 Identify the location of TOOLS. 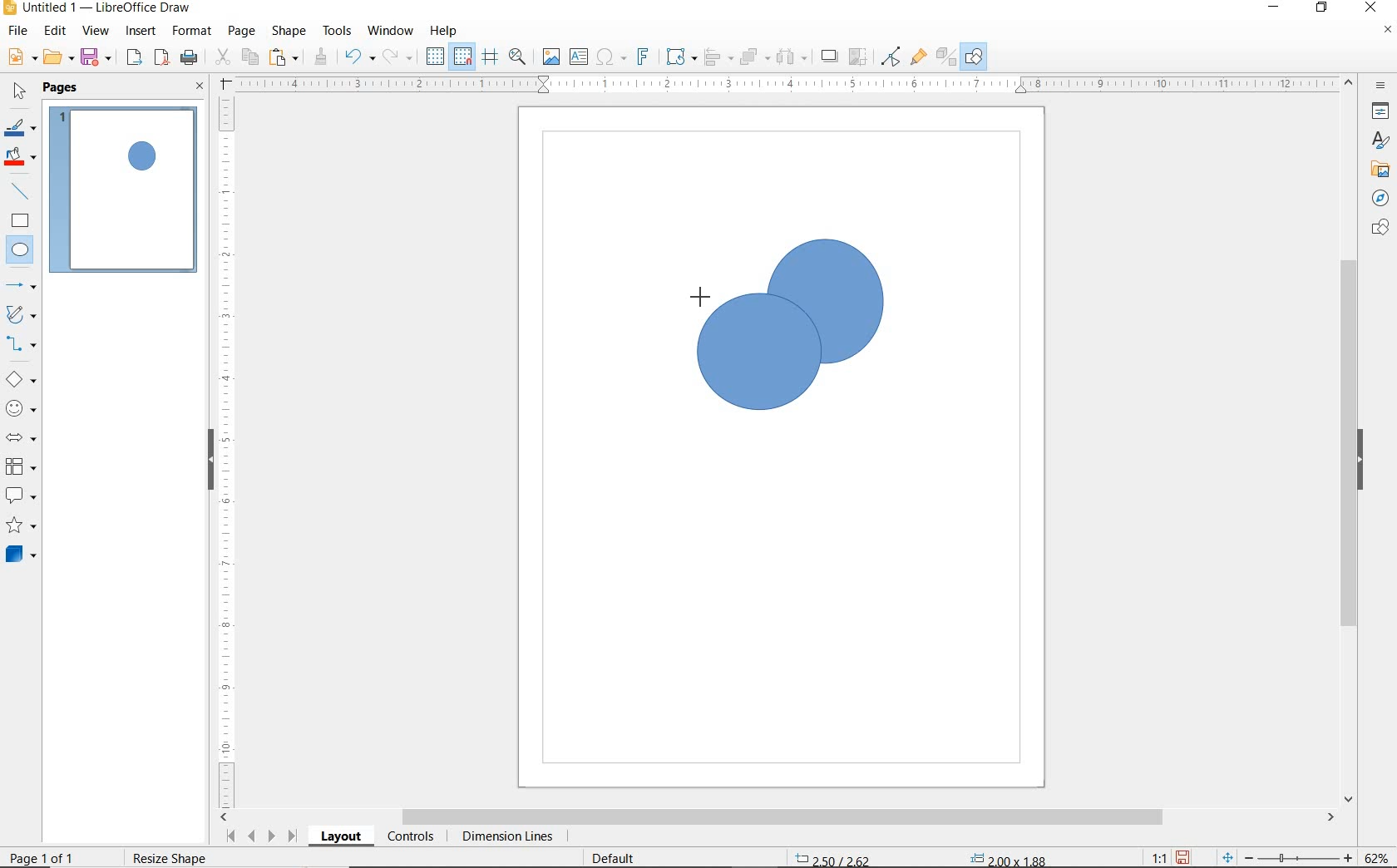
(337, 30).